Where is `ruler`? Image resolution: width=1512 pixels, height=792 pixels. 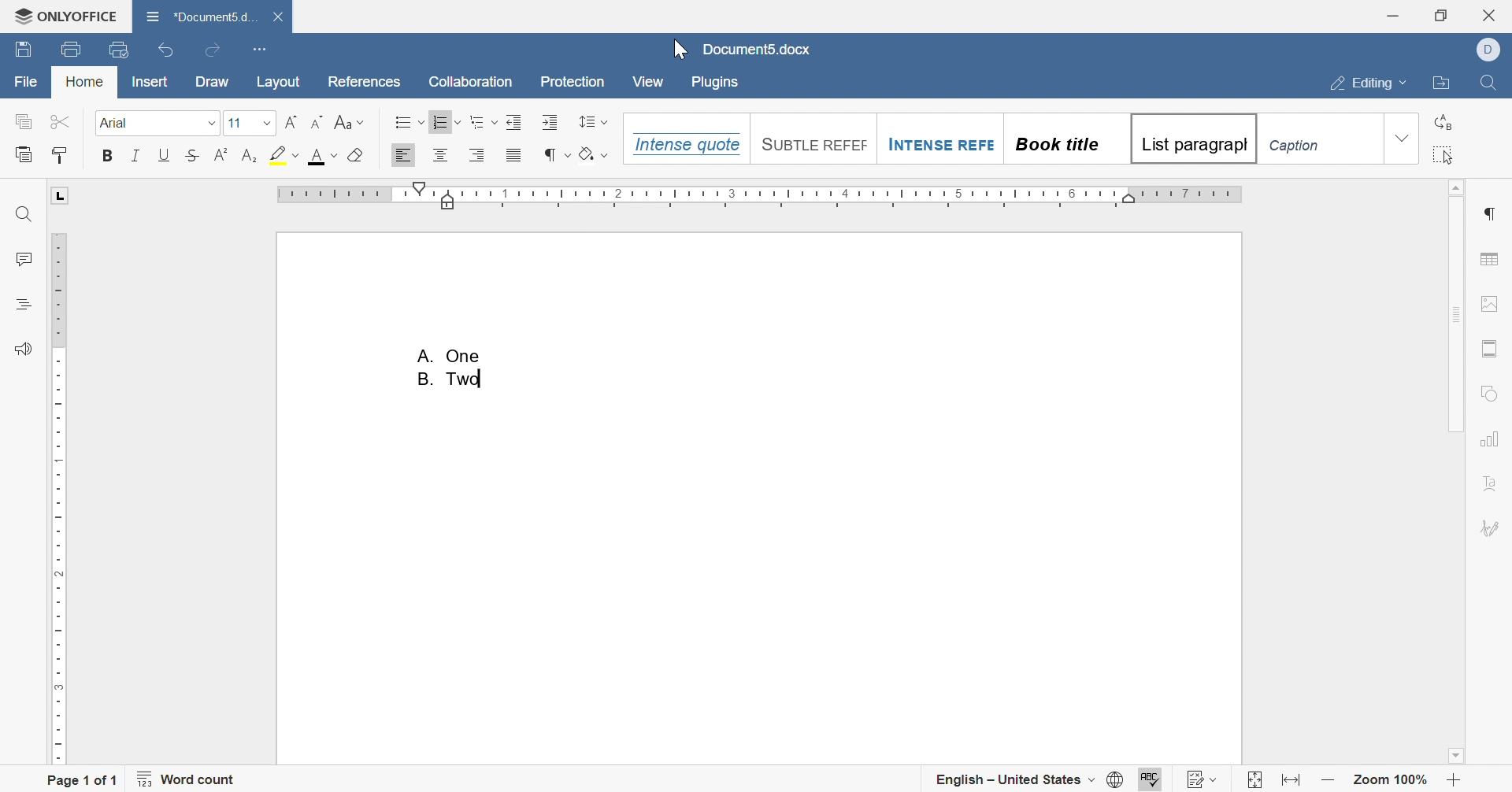 ruler is located at coordinates (762, 195).